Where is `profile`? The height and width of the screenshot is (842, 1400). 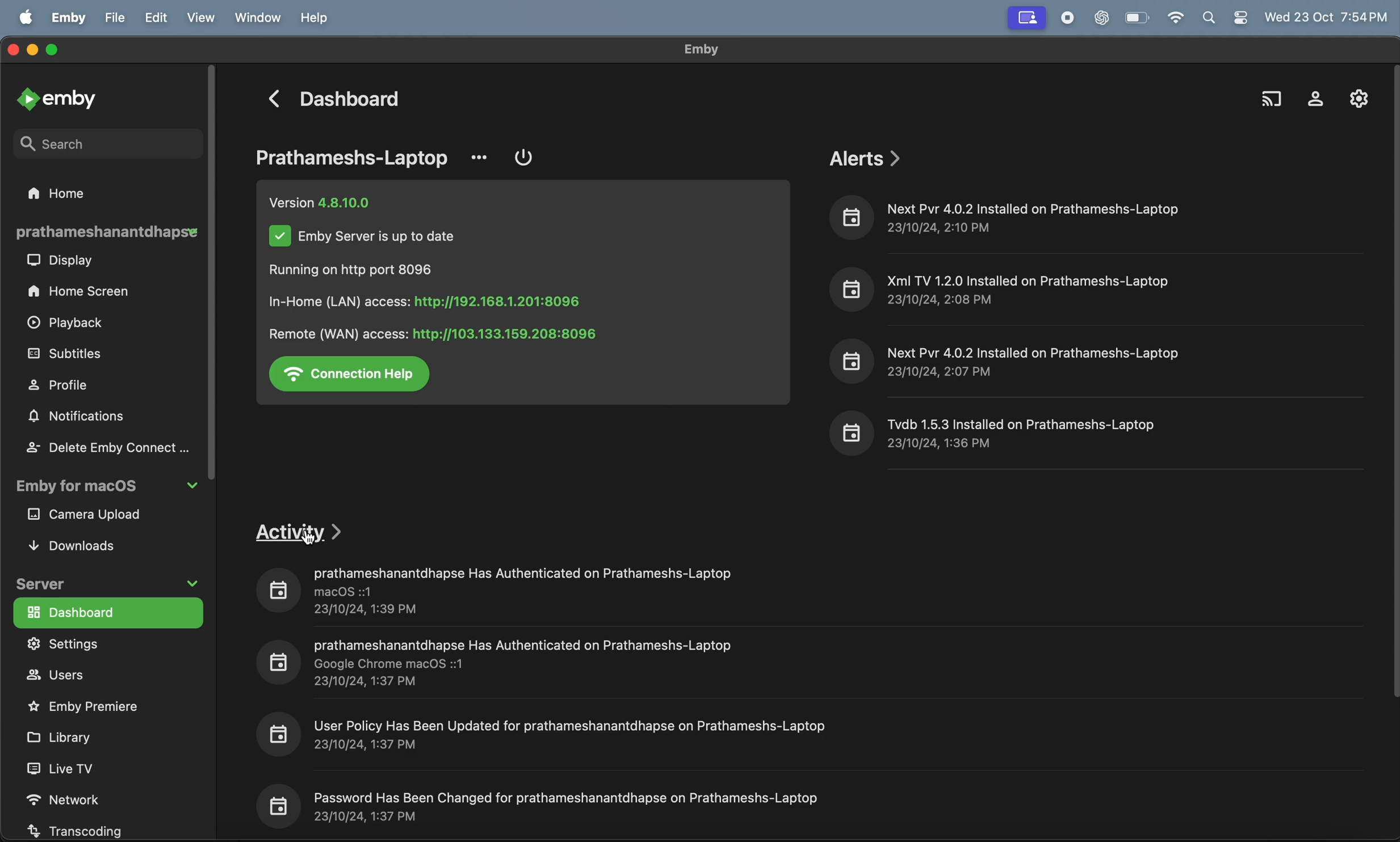 profile is located at coordinates (73, 384).